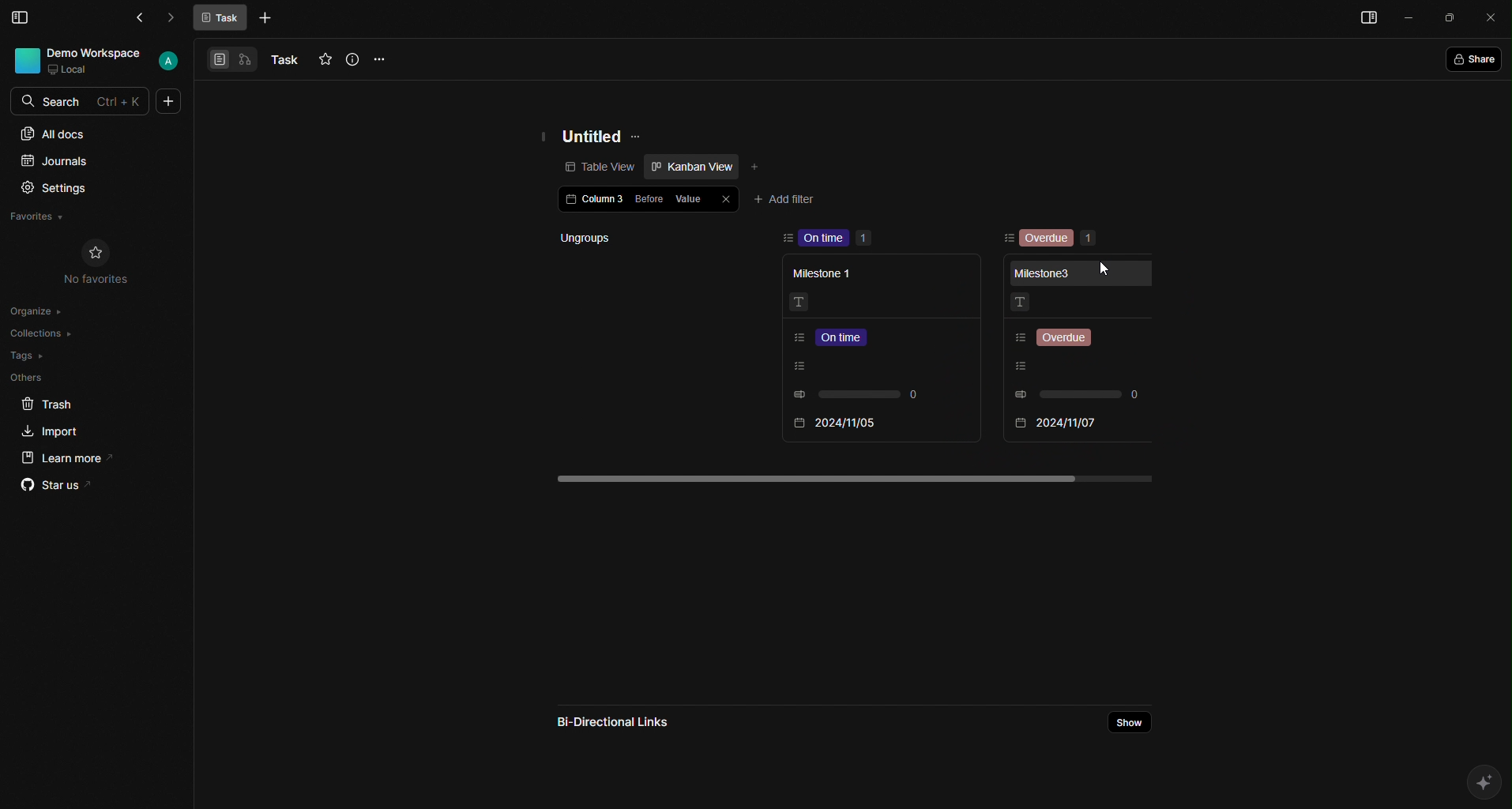  I want to click on Minimize, so click(1411, 16).